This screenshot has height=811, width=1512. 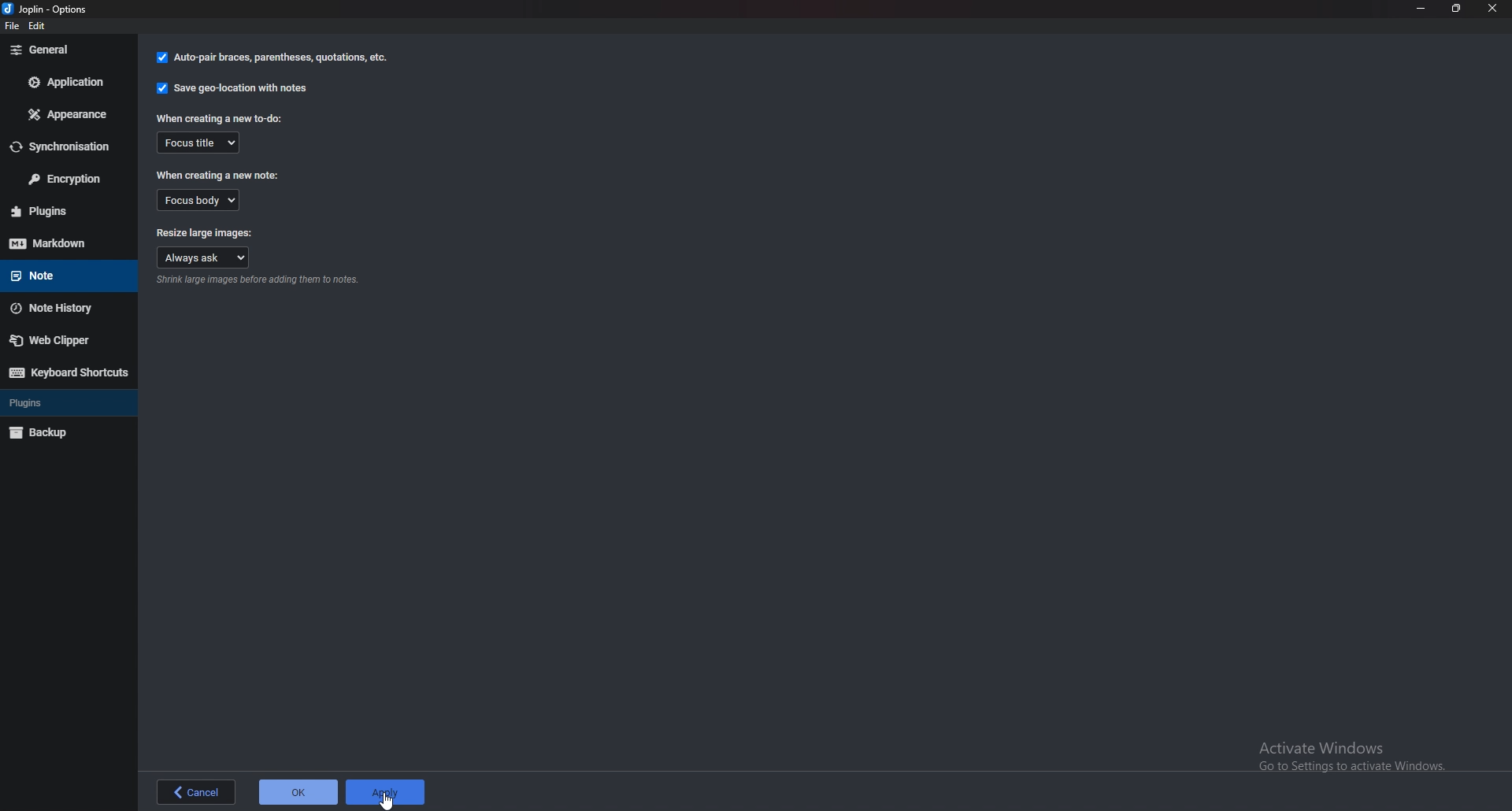 I want to click on When creating a new to do, so click(x=221, y=120).